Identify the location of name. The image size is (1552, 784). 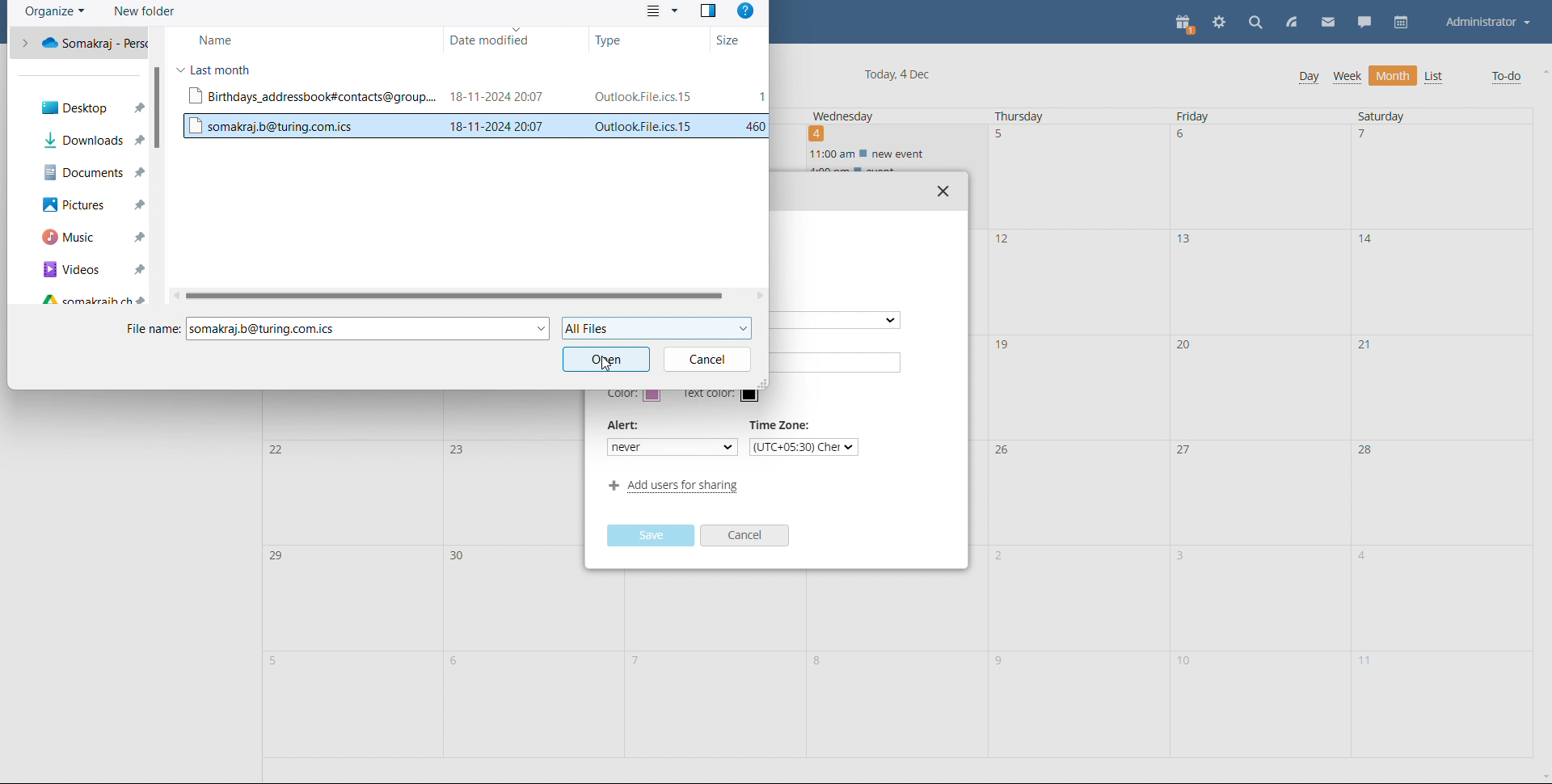
(278, 37).